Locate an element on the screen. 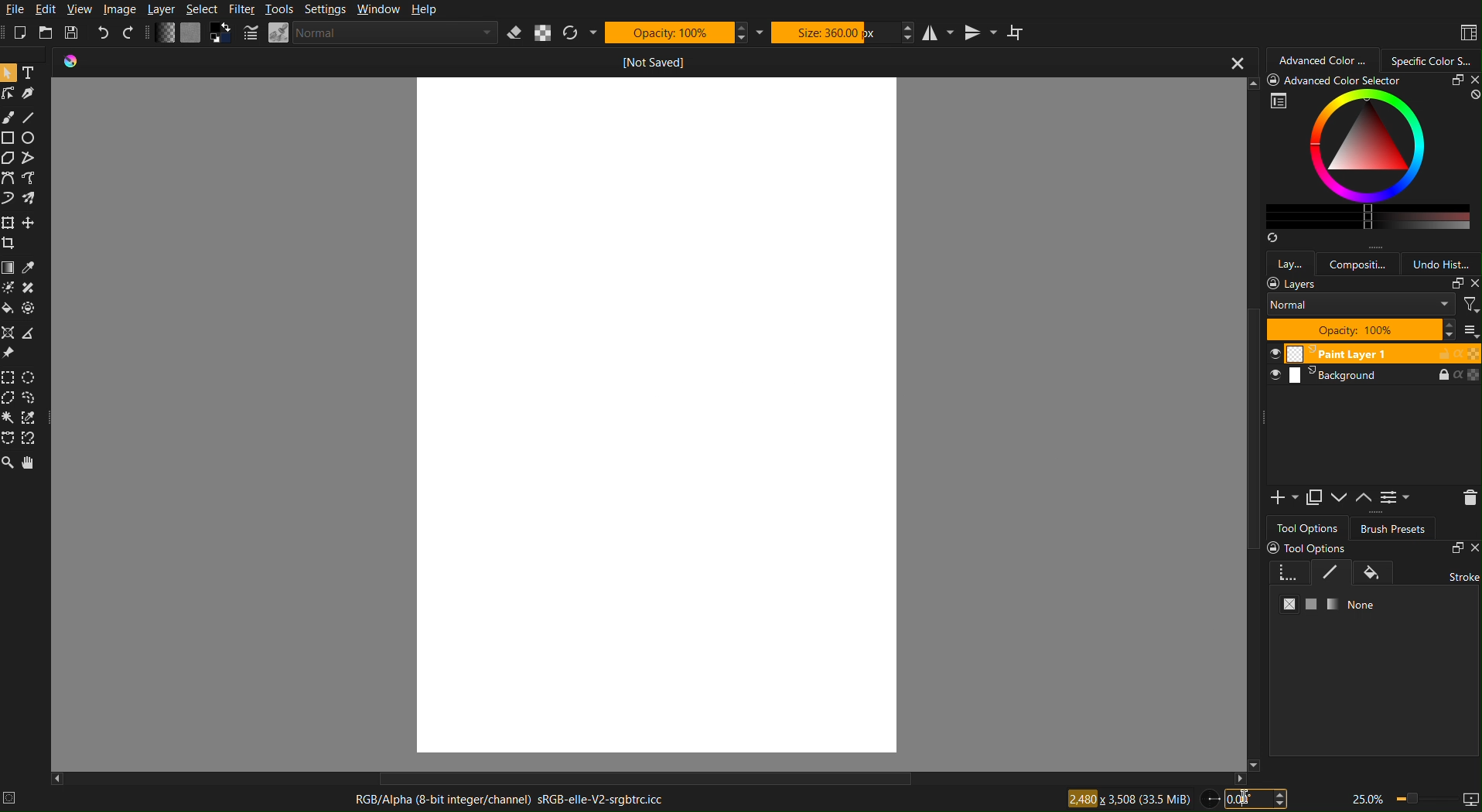  Advanced Color Selector is located at coordinates (1318, 57).